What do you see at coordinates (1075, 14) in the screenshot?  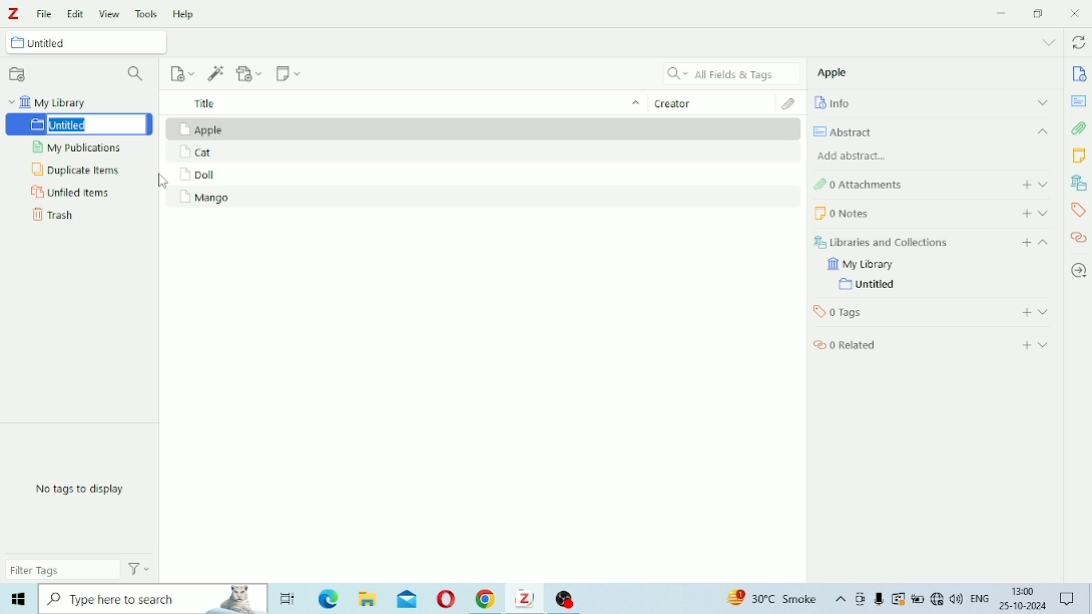 I see `Close` at bounding box center [1075, 14].